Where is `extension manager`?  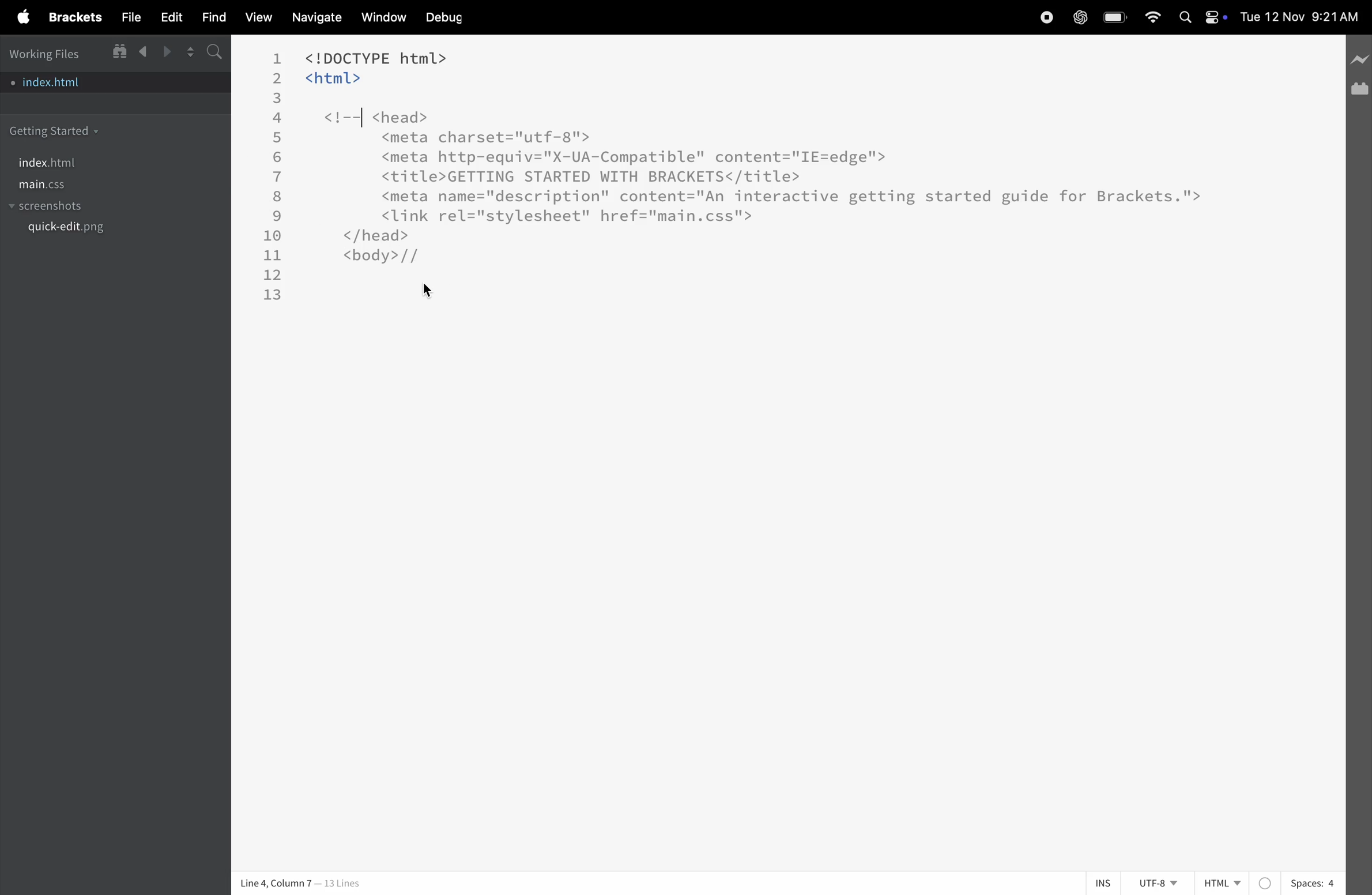 extension manager is located at coordinates (1359, 90).